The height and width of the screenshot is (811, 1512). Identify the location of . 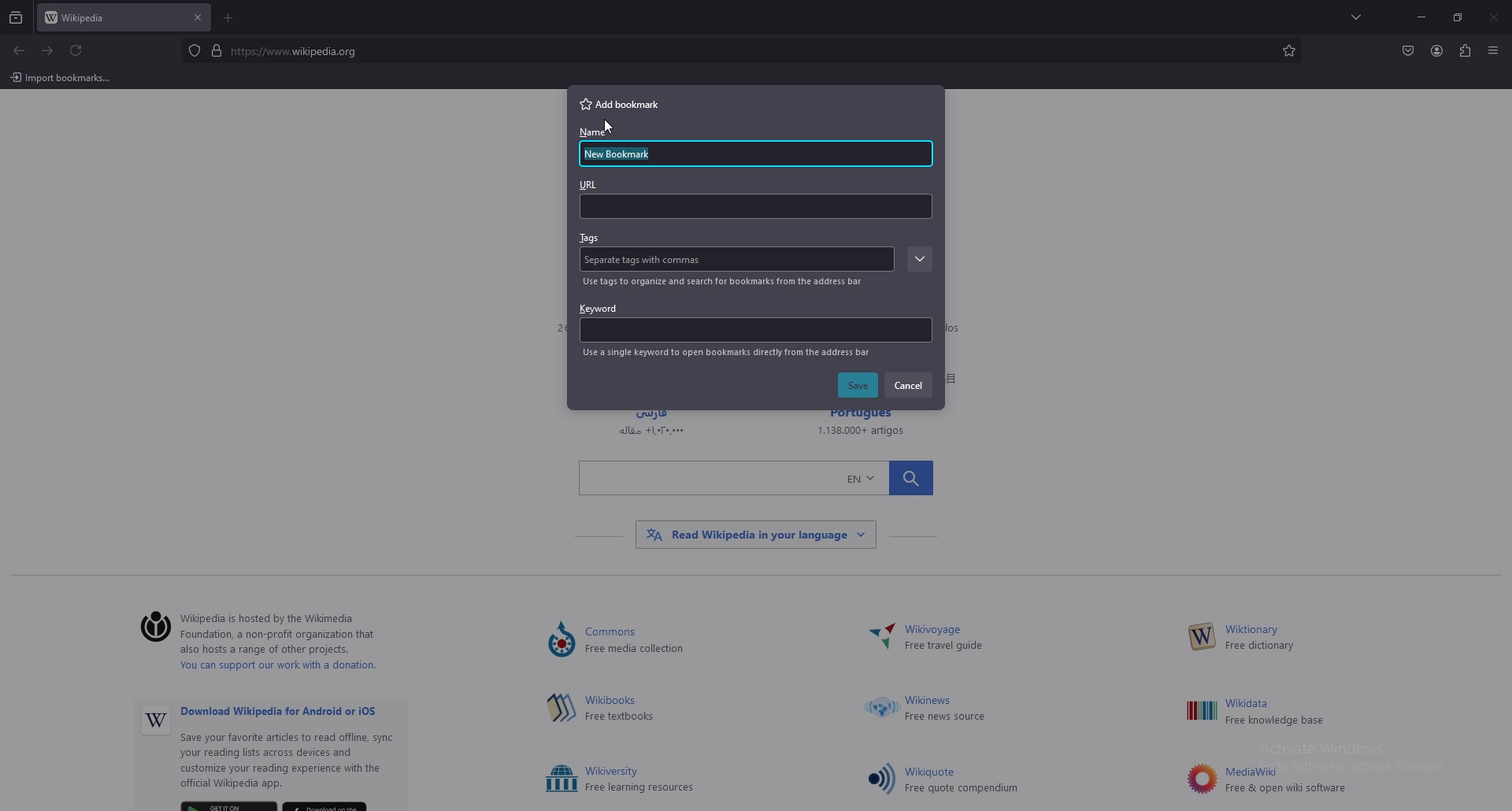
(561, 780).